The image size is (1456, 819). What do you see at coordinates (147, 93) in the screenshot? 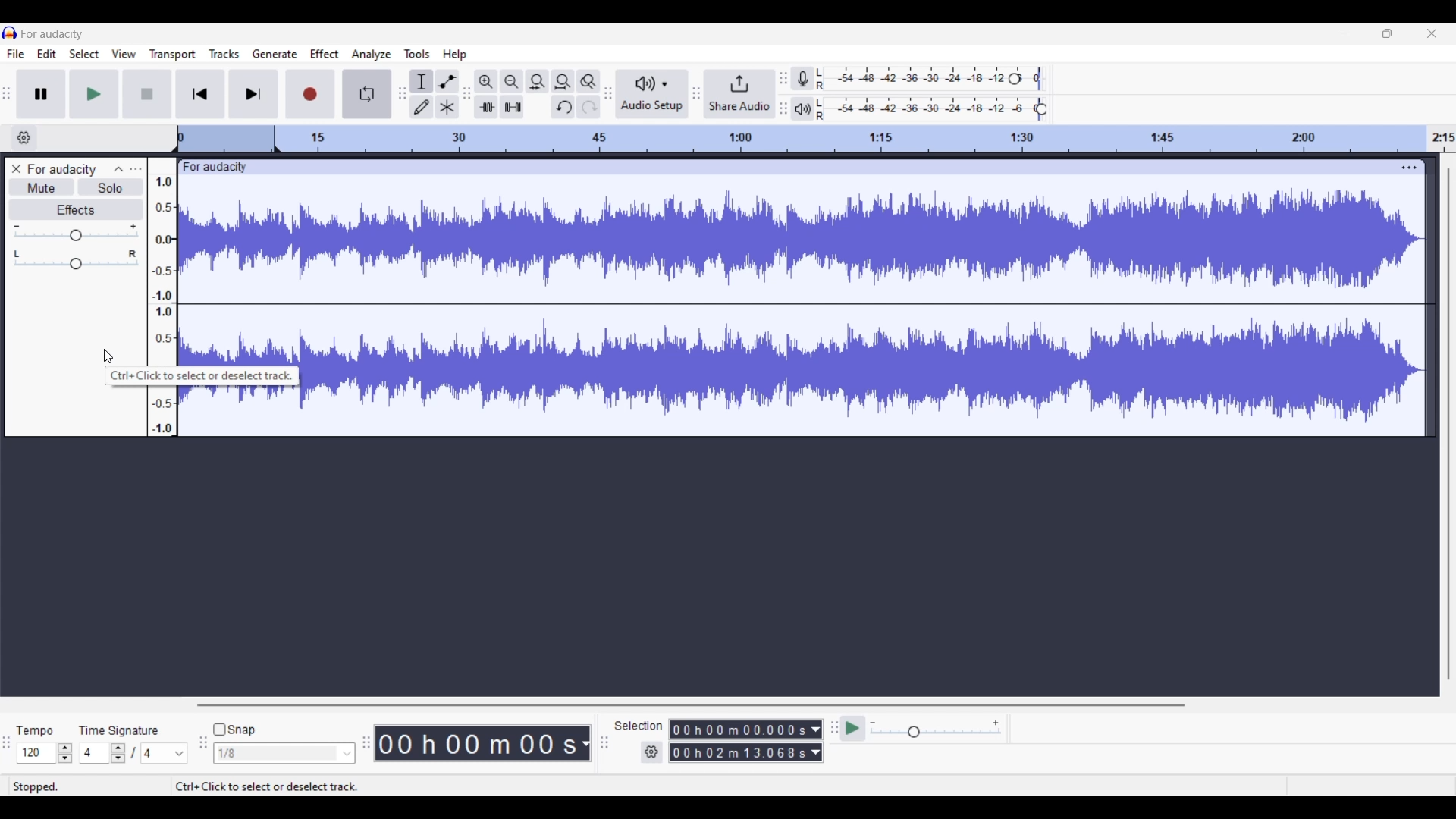
I see `Stop` at bounding box center [147, 93].